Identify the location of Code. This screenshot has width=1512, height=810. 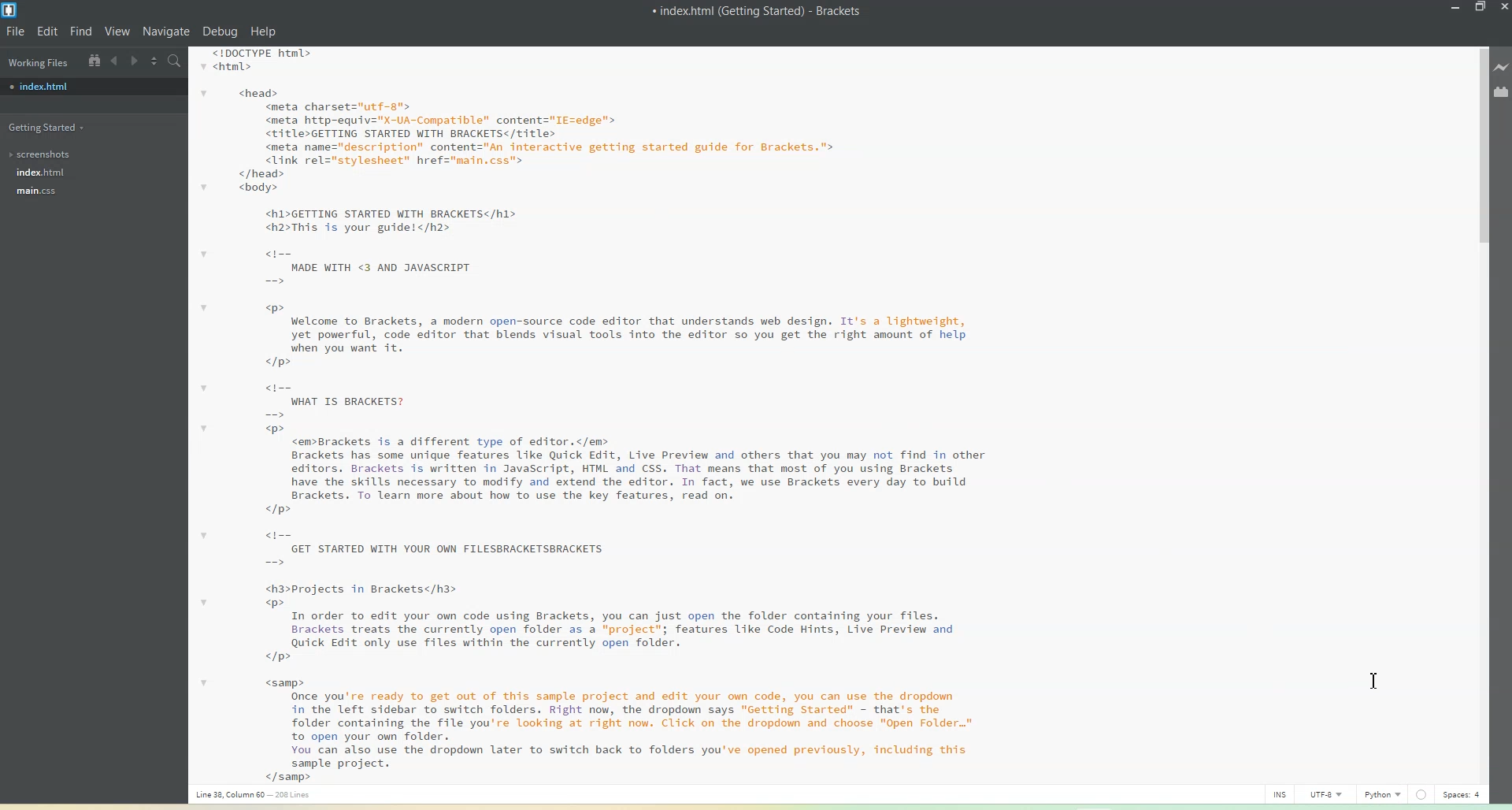
(586, 414).